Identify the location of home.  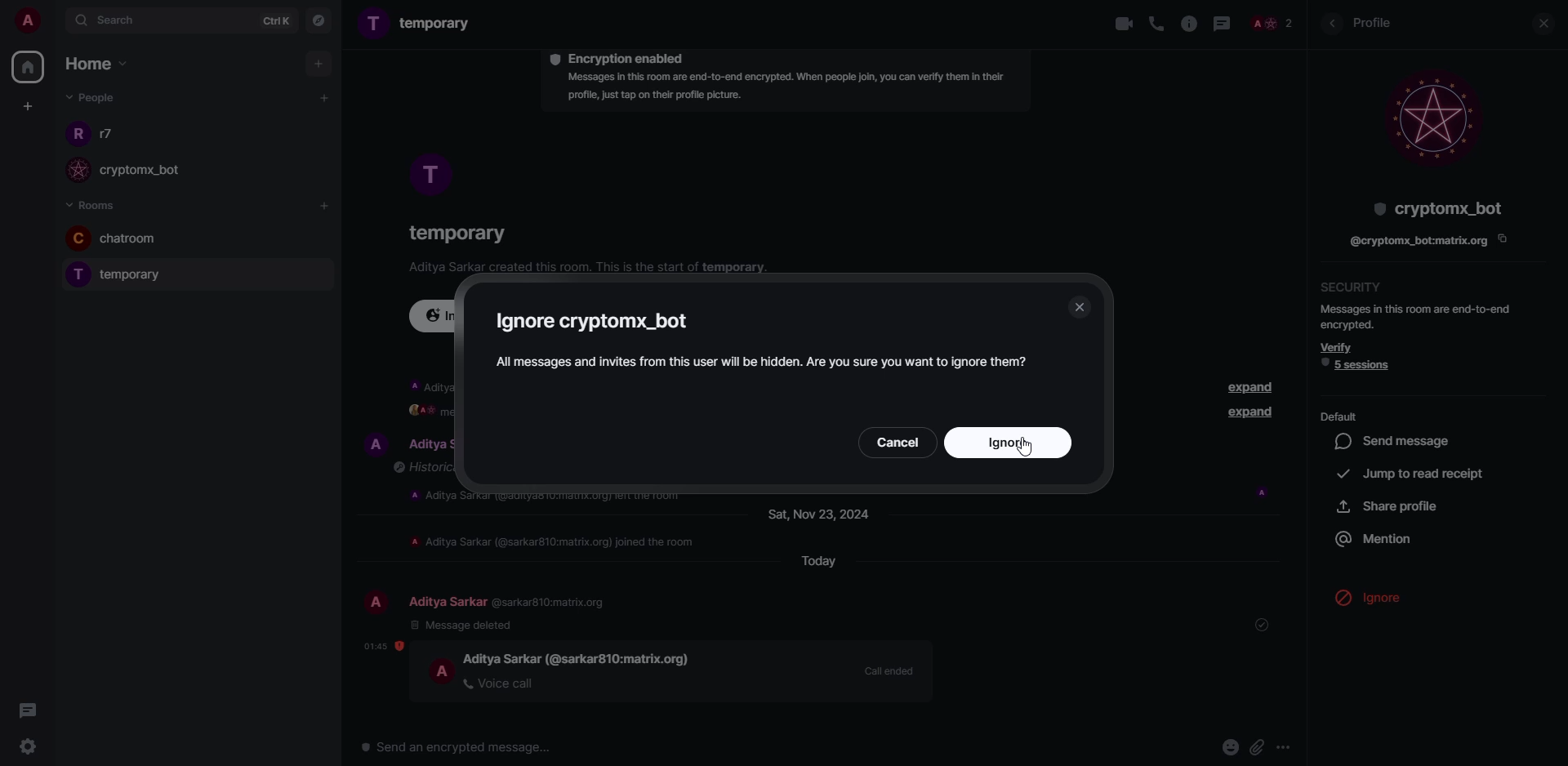
(29, 67).